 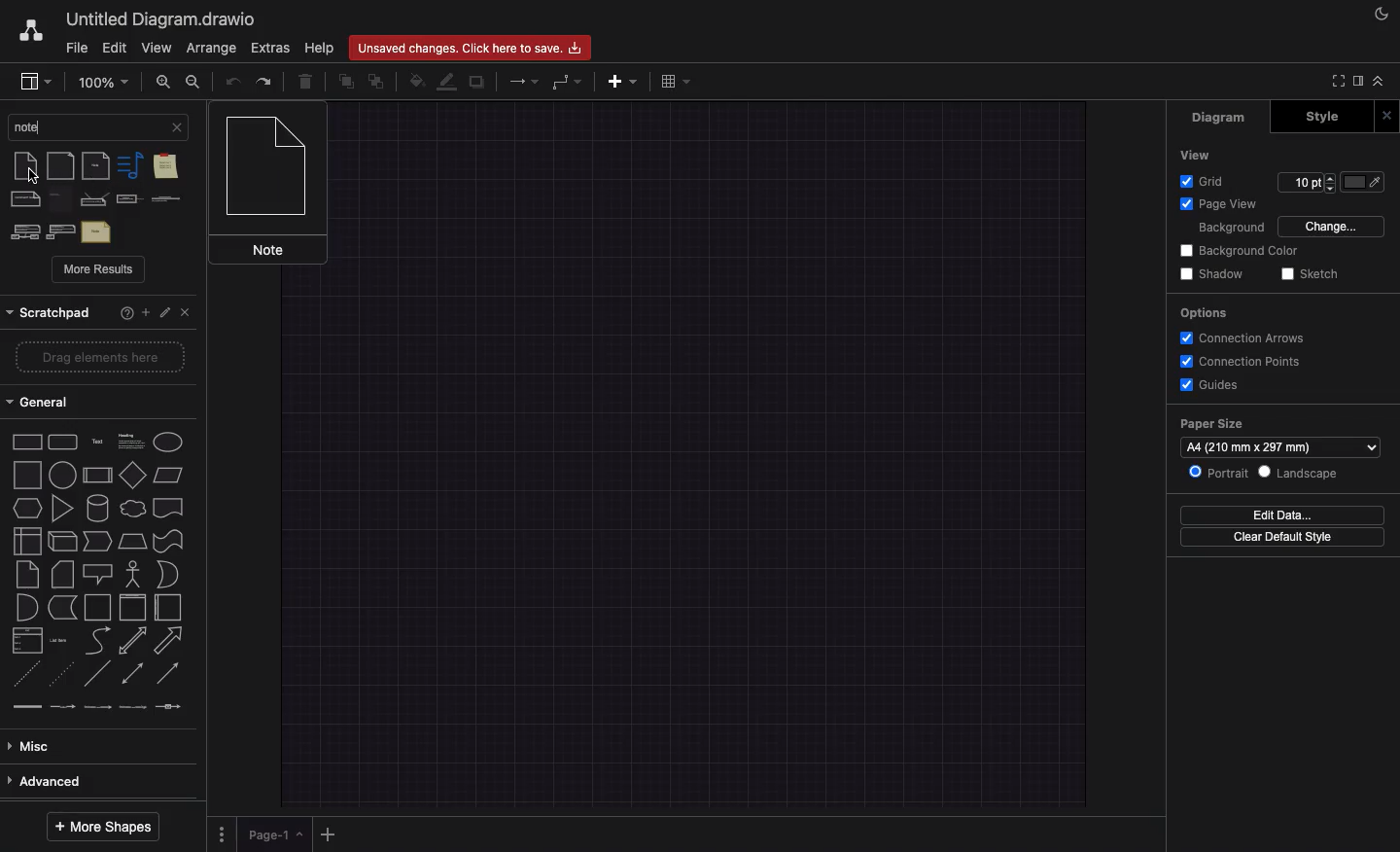 I want to click on connector with label, so click(x=63, y=712).